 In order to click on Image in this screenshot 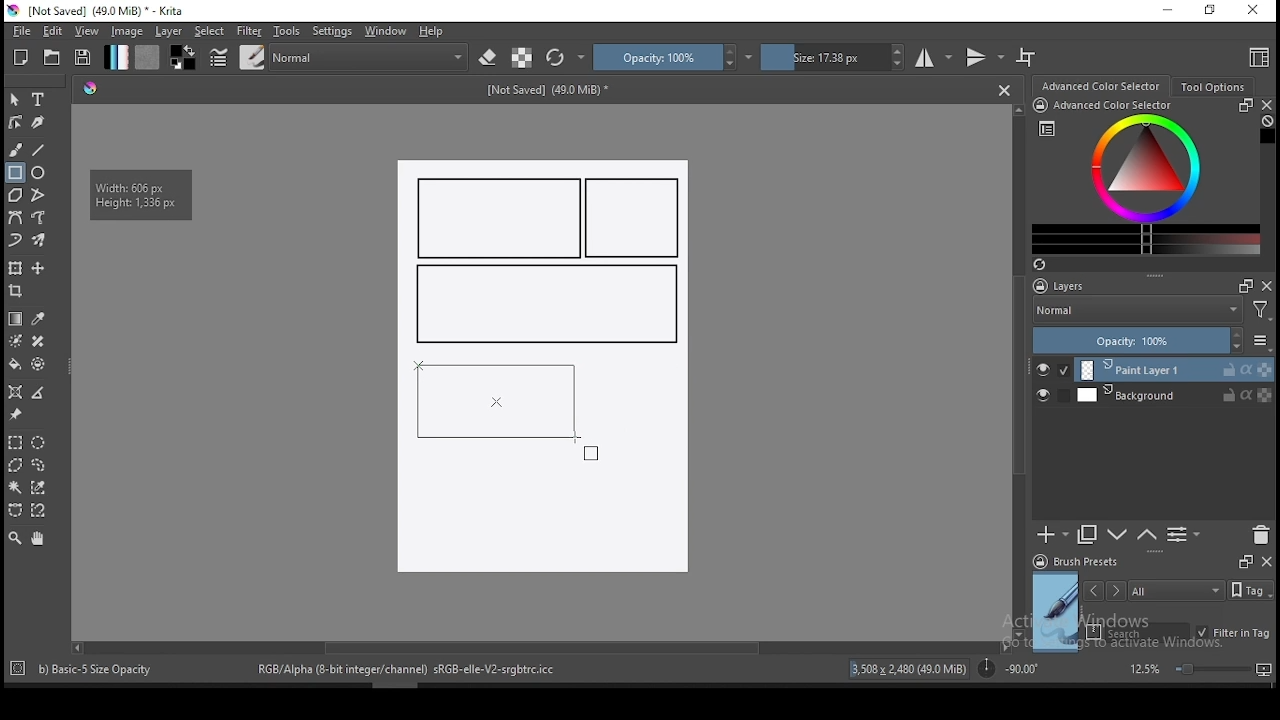, I will do `click(541, 515)`.